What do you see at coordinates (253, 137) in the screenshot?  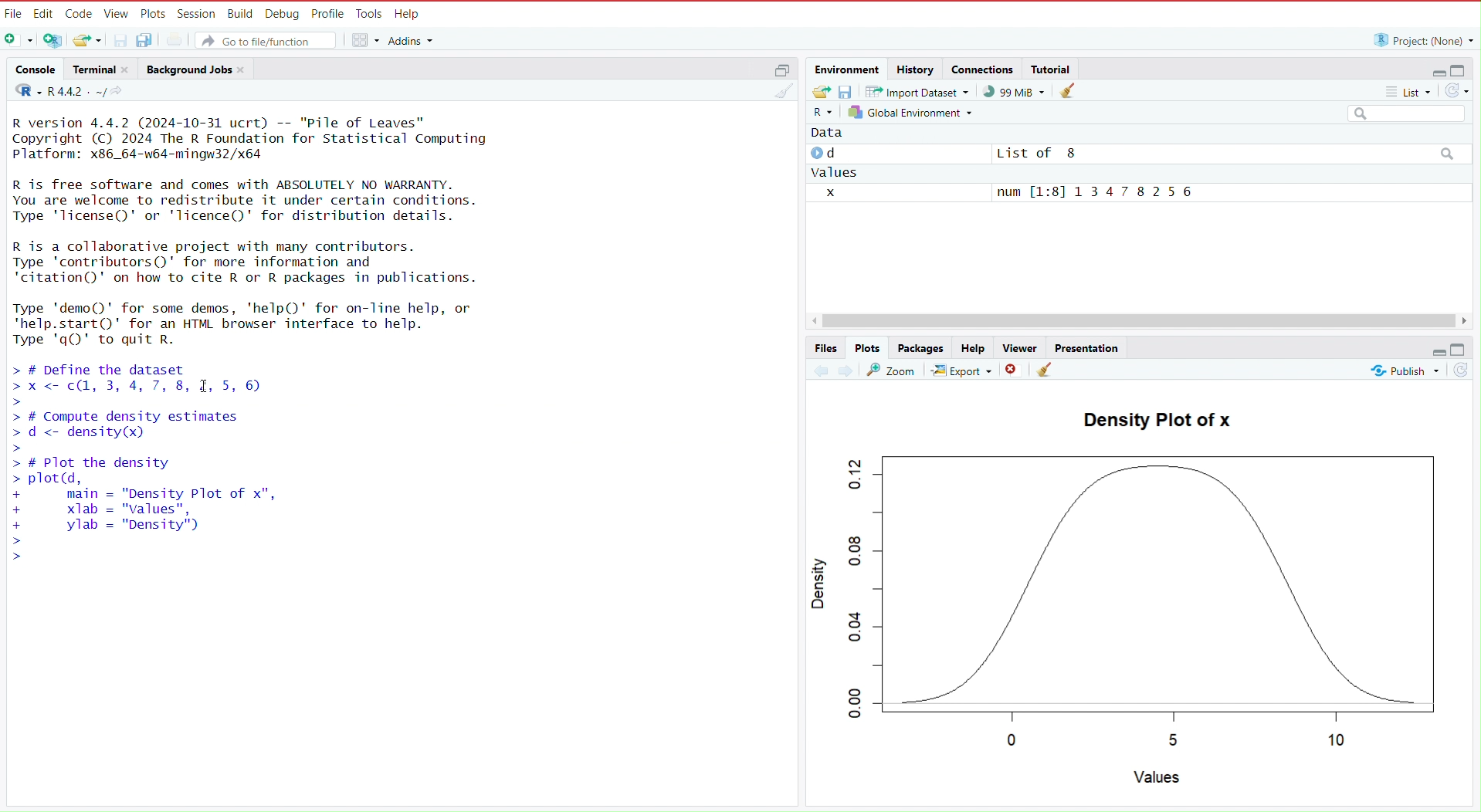 I see `R version 4.4.2 (2024-10-31 ucrt) -- "Pile of Leaves"
Copyright (C) 2024 The R Foundation for Statistical Computing
Platform: x86_64-w64-mingw32/x64` at bounding box center [253, 137].